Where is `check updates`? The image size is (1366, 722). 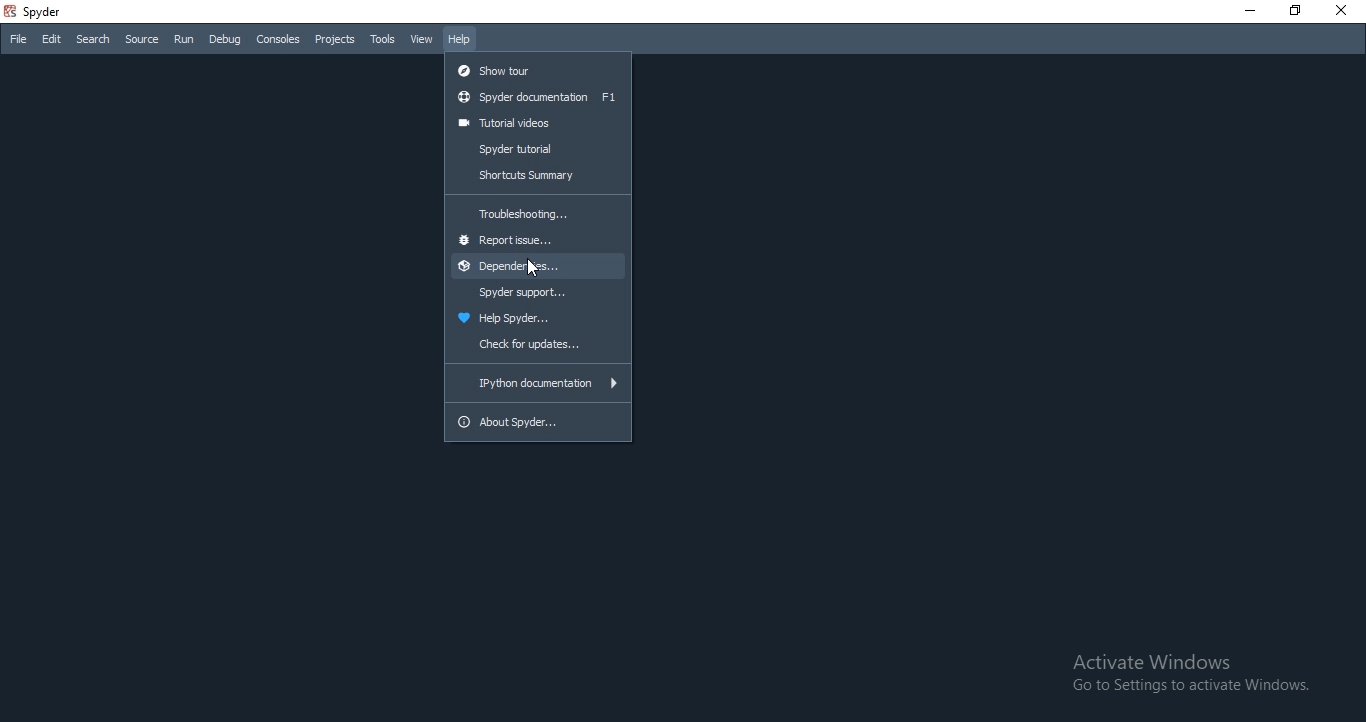 check updates is located at coordinates (538, 347).